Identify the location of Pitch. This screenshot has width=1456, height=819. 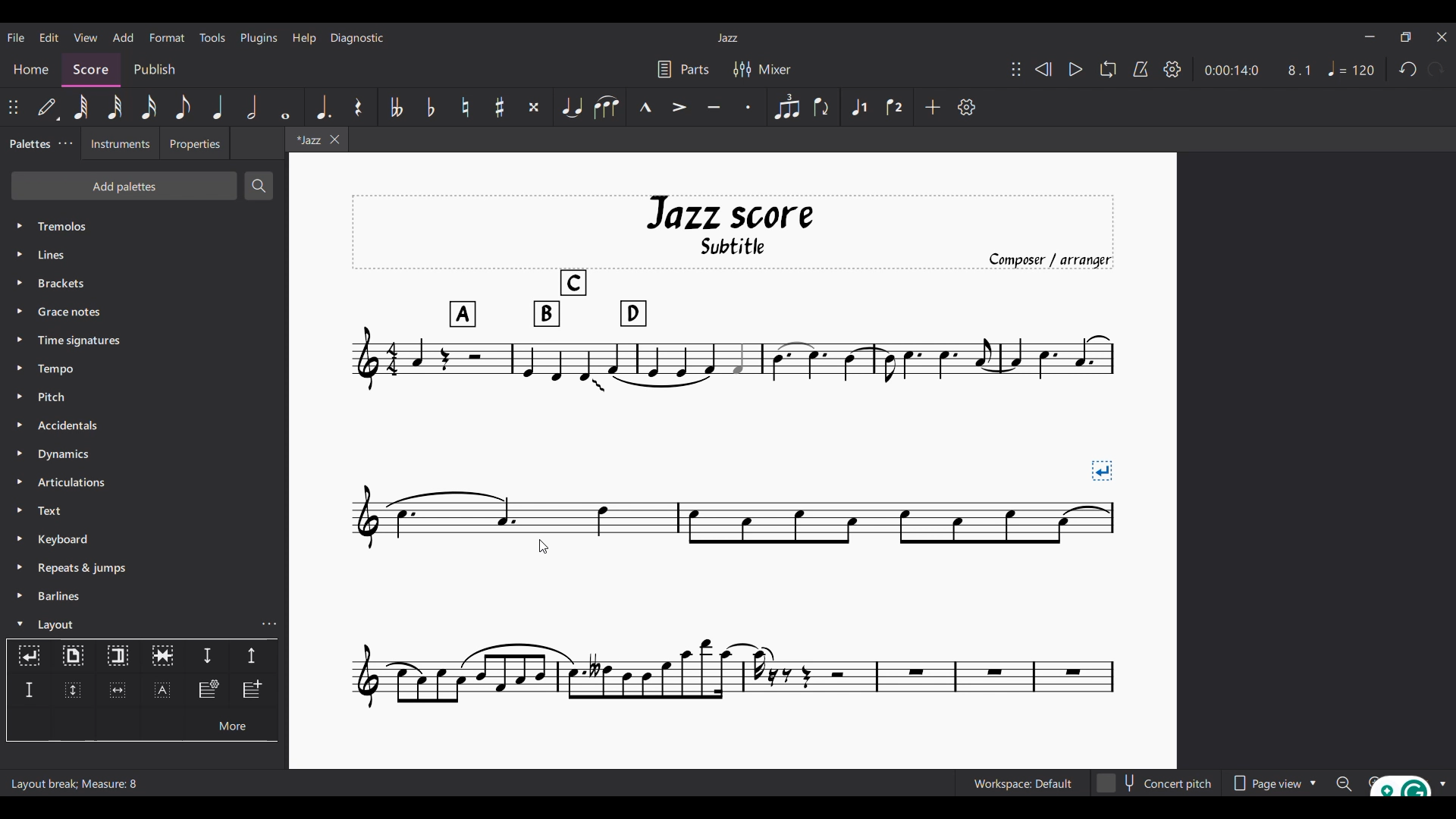
(143, 397).